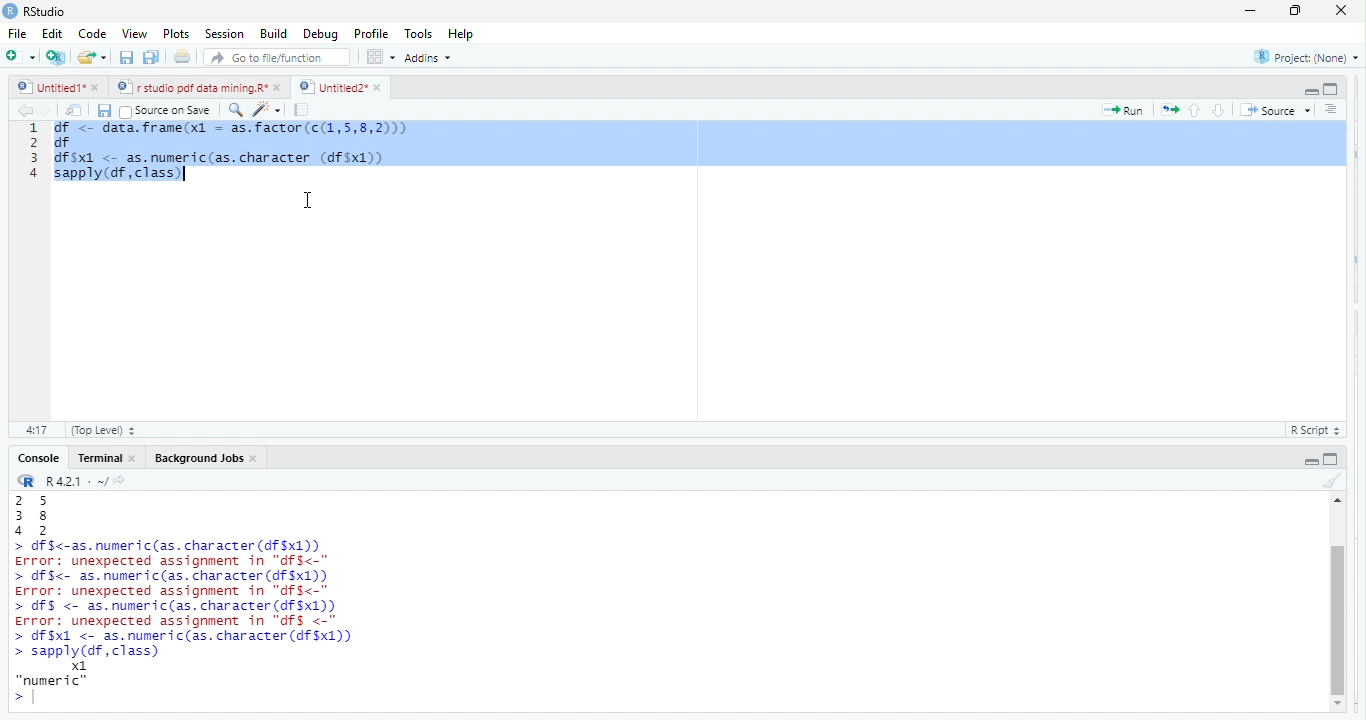  What do you see at coordinates (27, 481) in the screenshot?
I see `r studio logo` at bounding box center [27, 481].